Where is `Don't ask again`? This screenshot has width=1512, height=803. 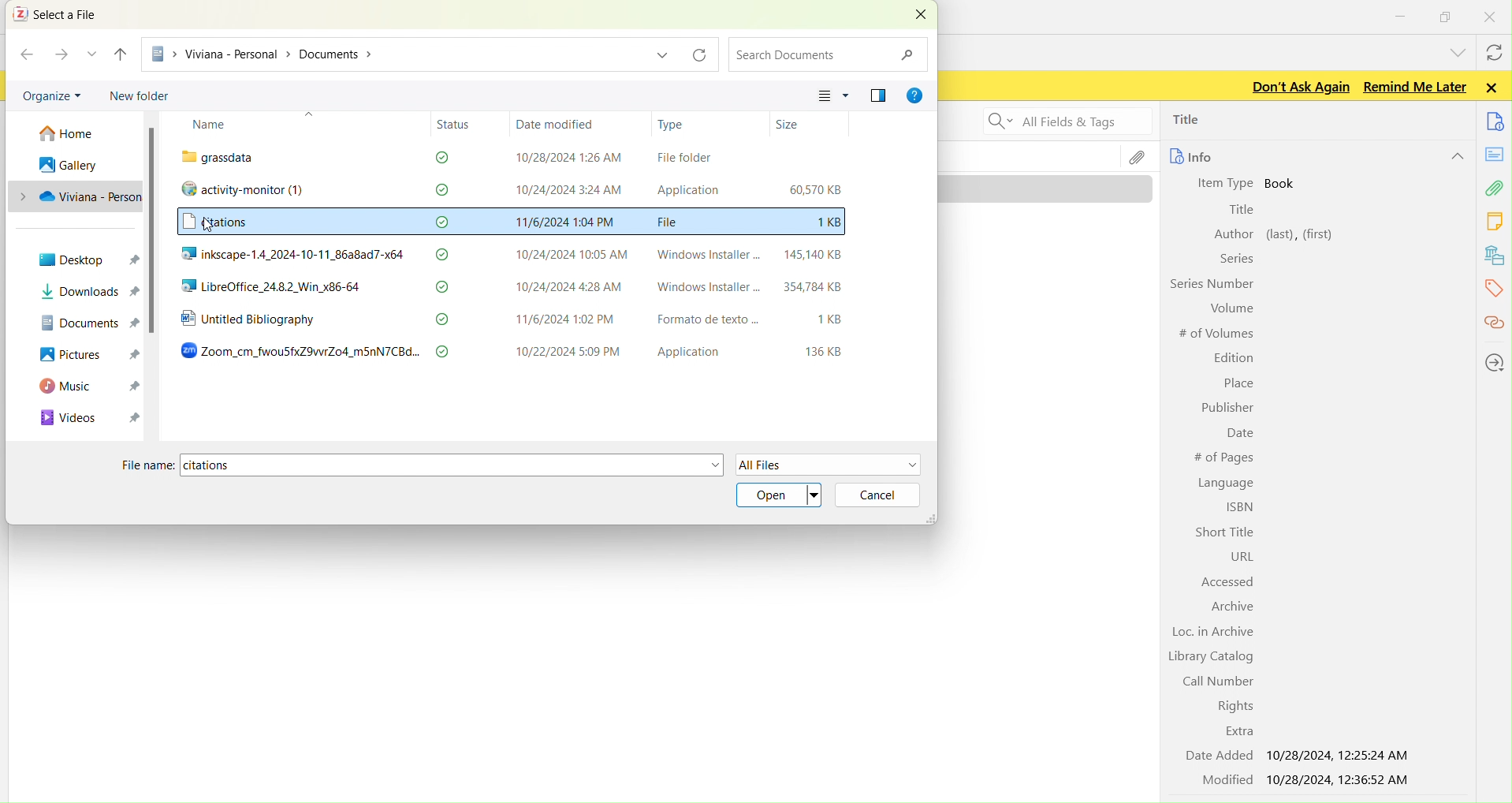
Don't ask again is located at coordinates (1298, 86).